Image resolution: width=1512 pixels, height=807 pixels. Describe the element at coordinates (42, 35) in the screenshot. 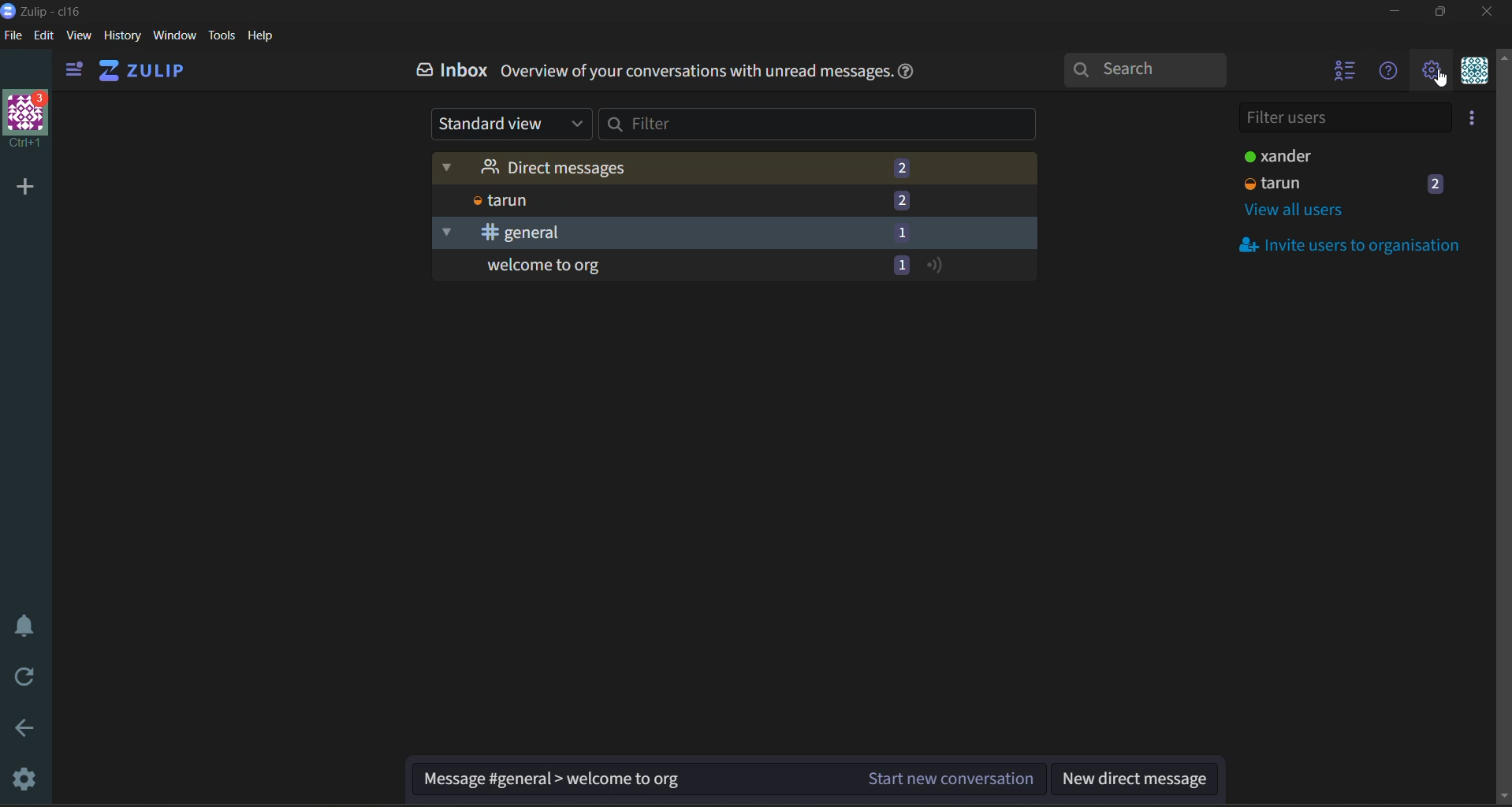

I see `edit` at that location.